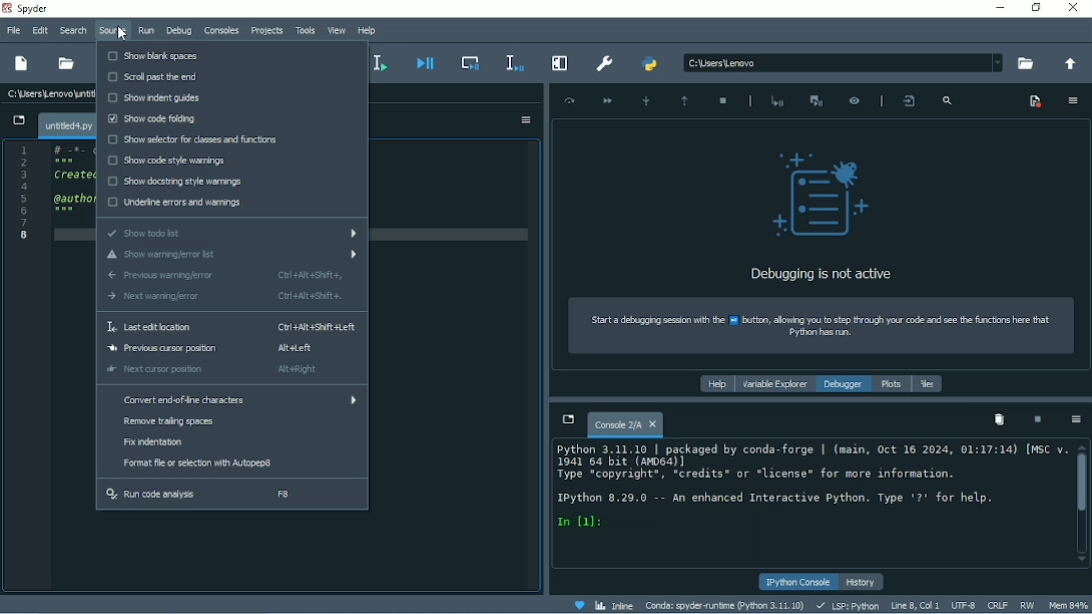 The width and height of the screenshot is (1092, 614). What do you see at coordinates (230, 233) in the screenshot?
I see `Show todo list` at bounding box center [230, 233].